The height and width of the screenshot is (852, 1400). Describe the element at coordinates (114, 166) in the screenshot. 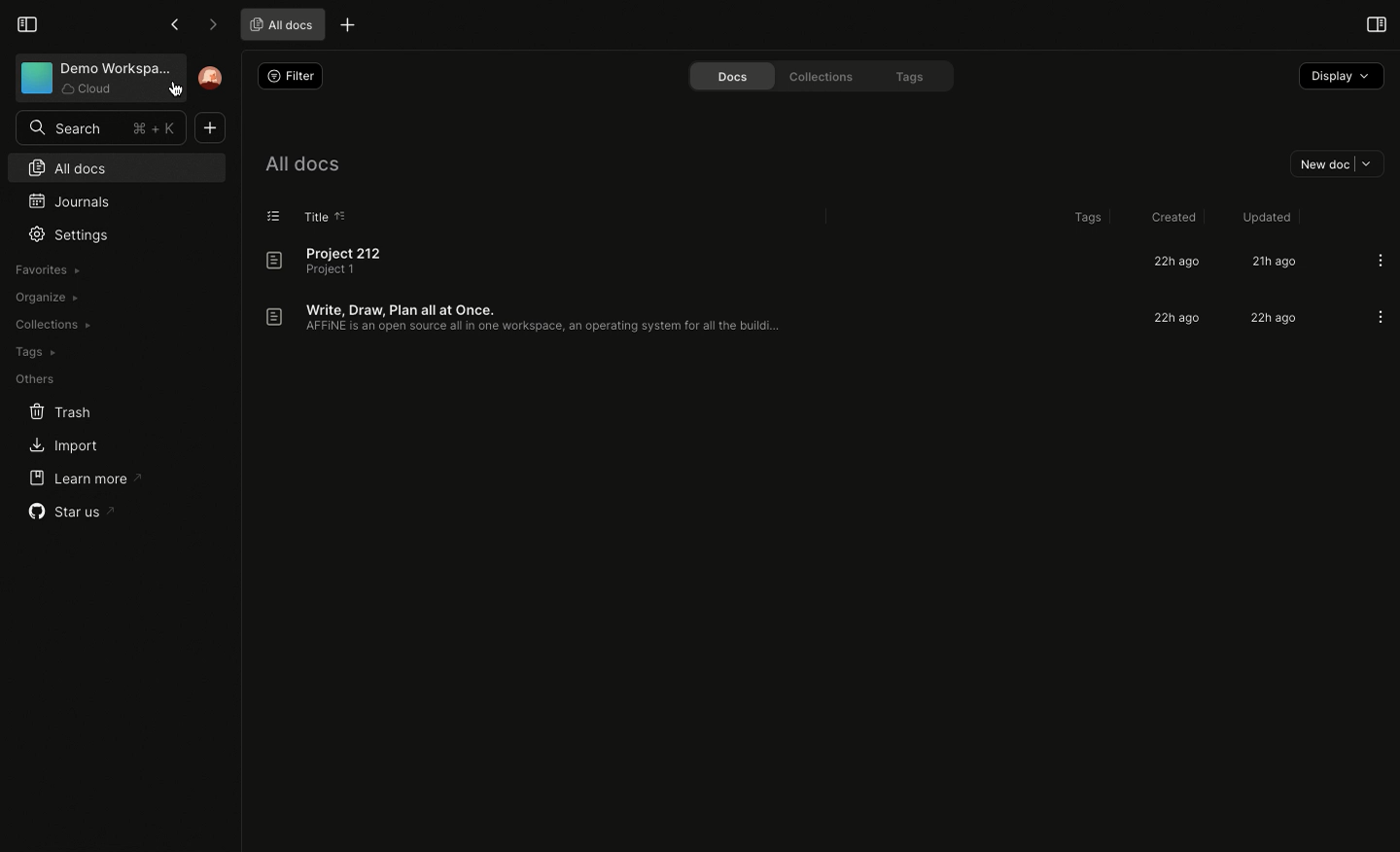

I see `All docs` at that location.